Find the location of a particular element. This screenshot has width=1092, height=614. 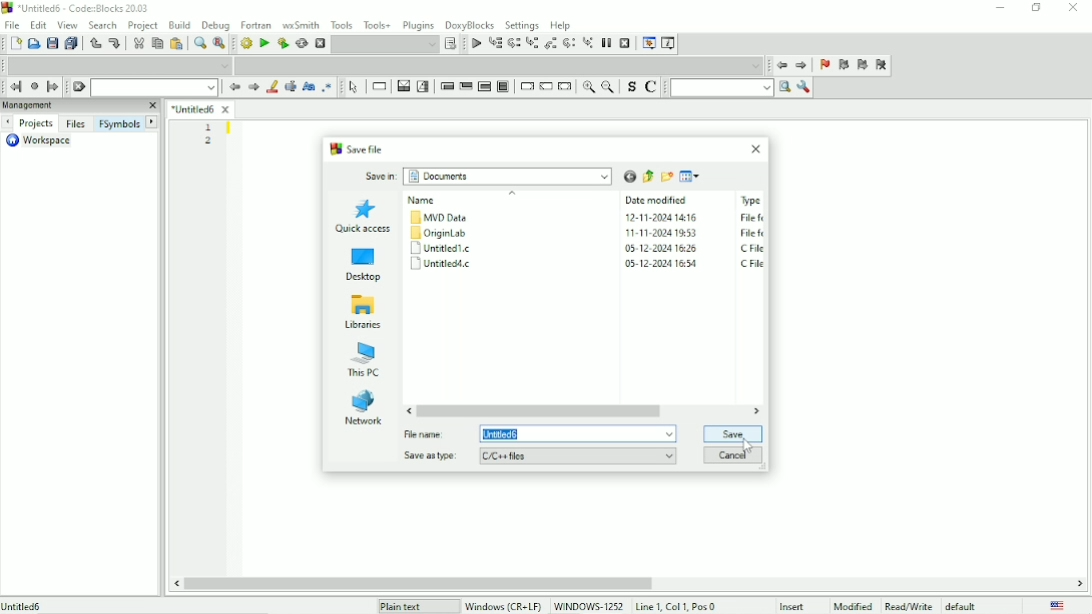

Name is located at coordinates (440, 234).